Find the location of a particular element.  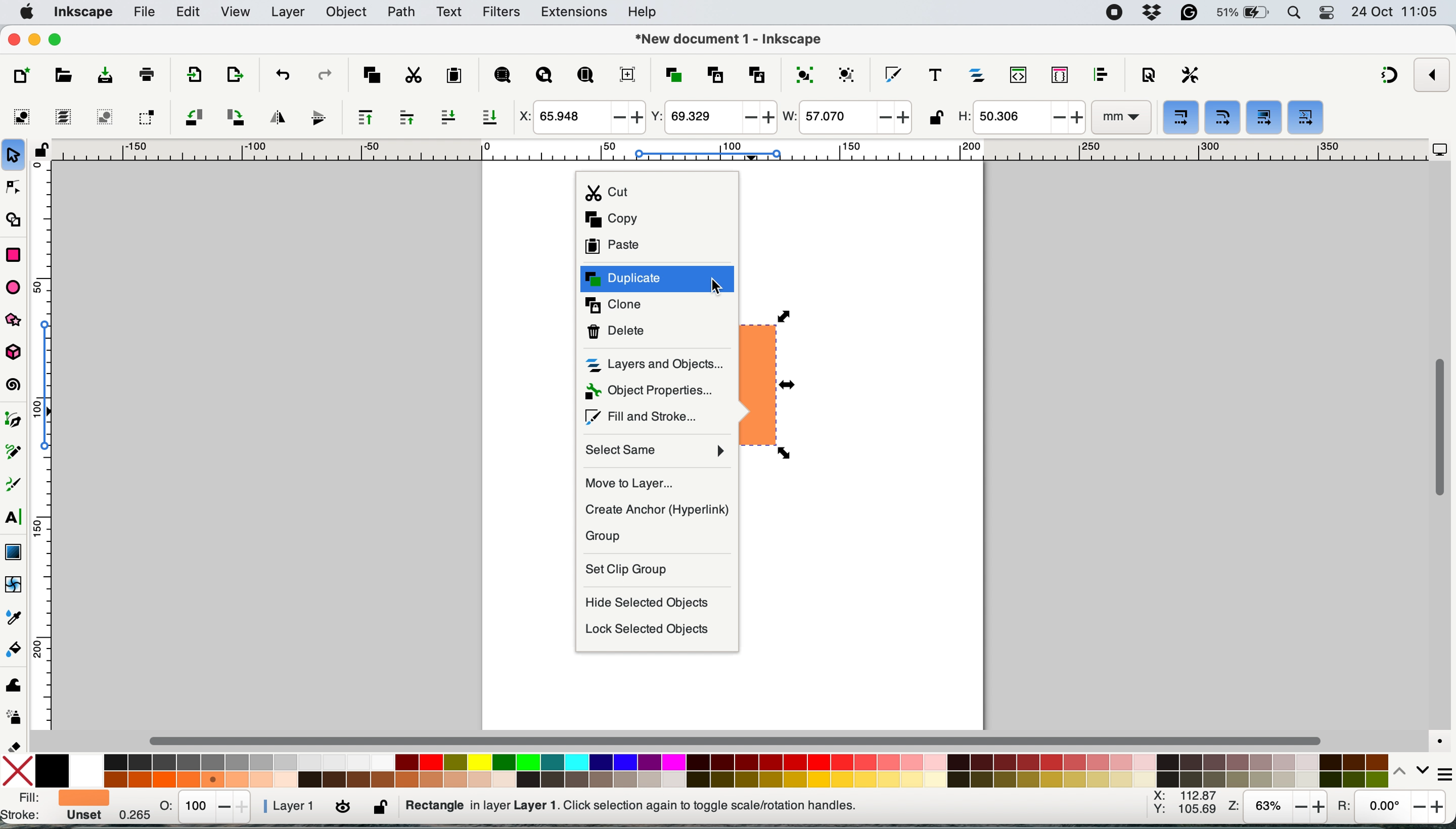

close is located at coordinates (14, 40).